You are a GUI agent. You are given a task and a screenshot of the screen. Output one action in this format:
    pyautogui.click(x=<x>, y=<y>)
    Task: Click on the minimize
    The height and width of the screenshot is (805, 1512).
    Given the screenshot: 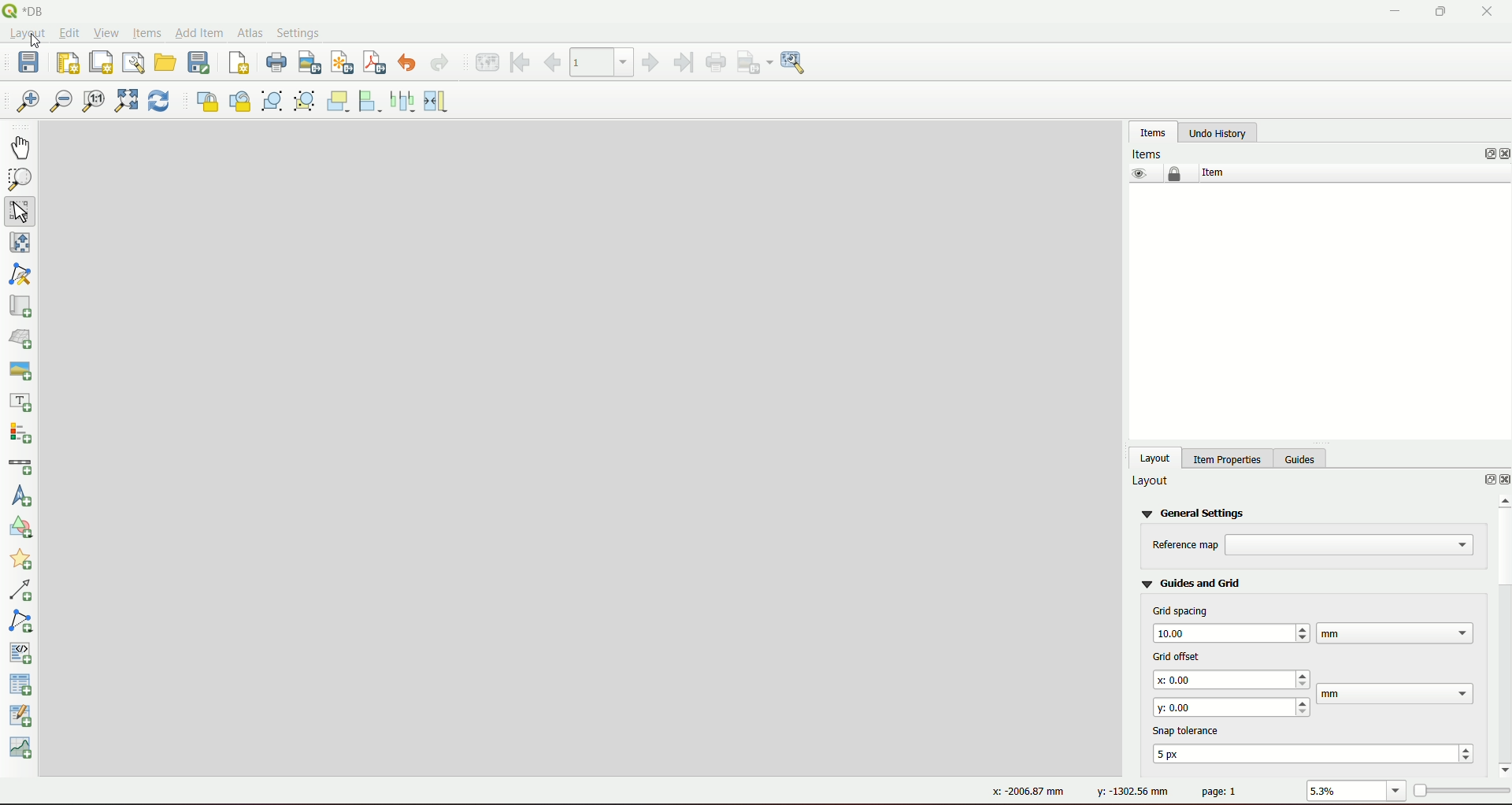 What is the action you would take?
    pyautogui.click(x=1393, y=12)
    